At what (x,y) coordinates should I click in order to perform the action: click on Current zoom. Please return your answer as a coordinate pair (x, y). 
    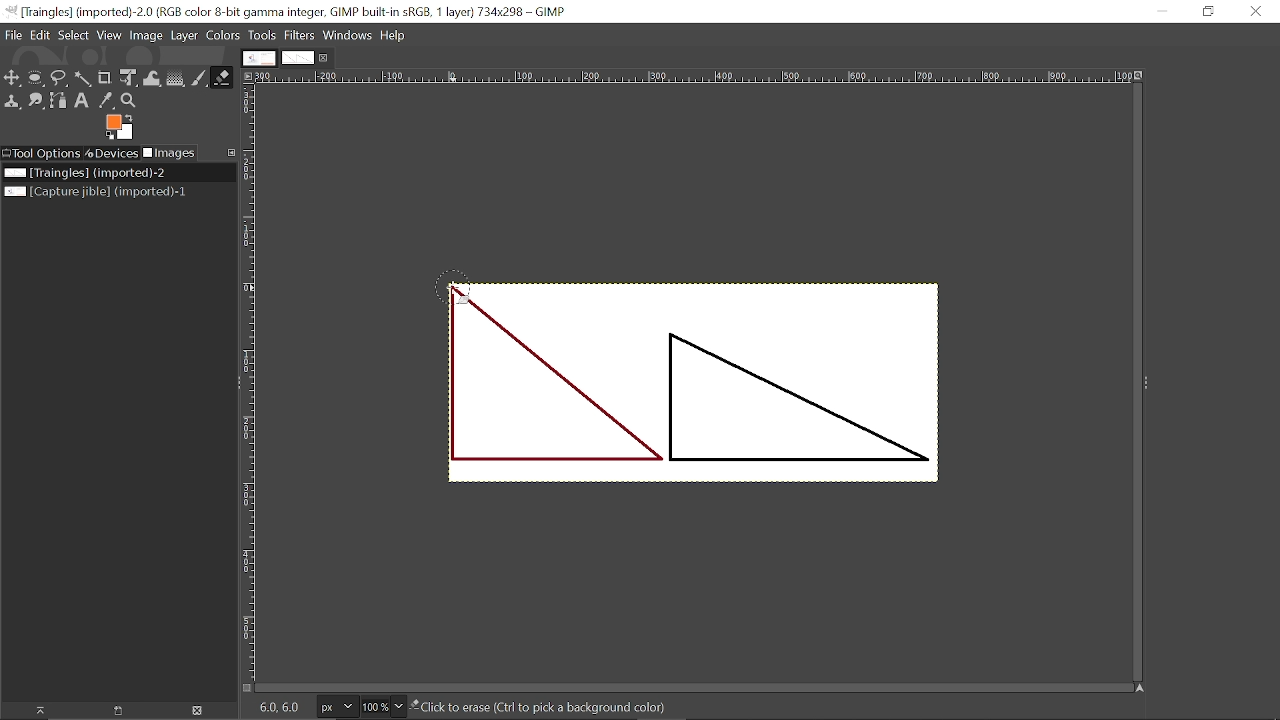
    Looking at the image, I should click on (374, 707).